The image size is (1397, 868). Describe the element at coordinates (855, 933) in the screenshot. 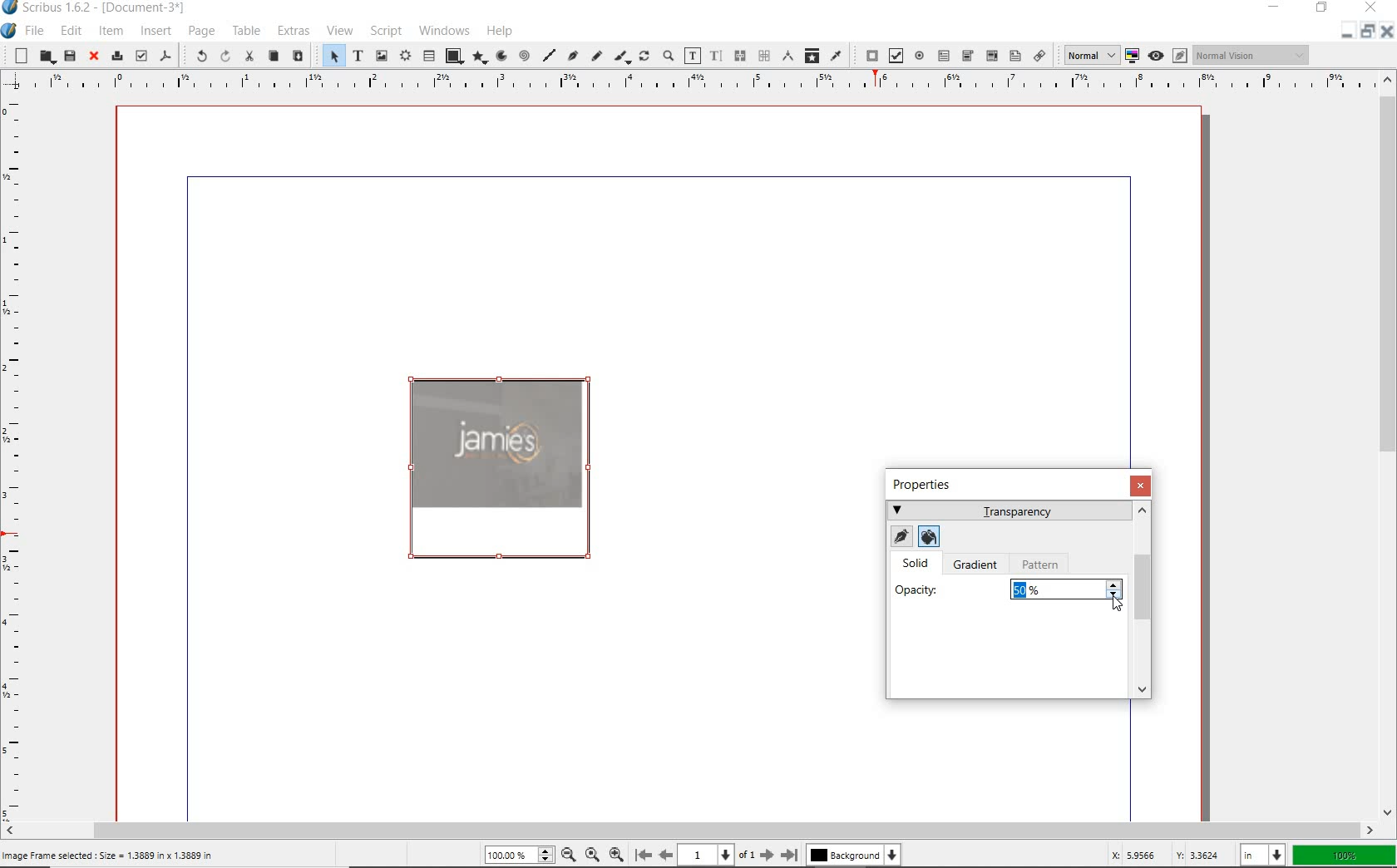

I see `background` at that location.